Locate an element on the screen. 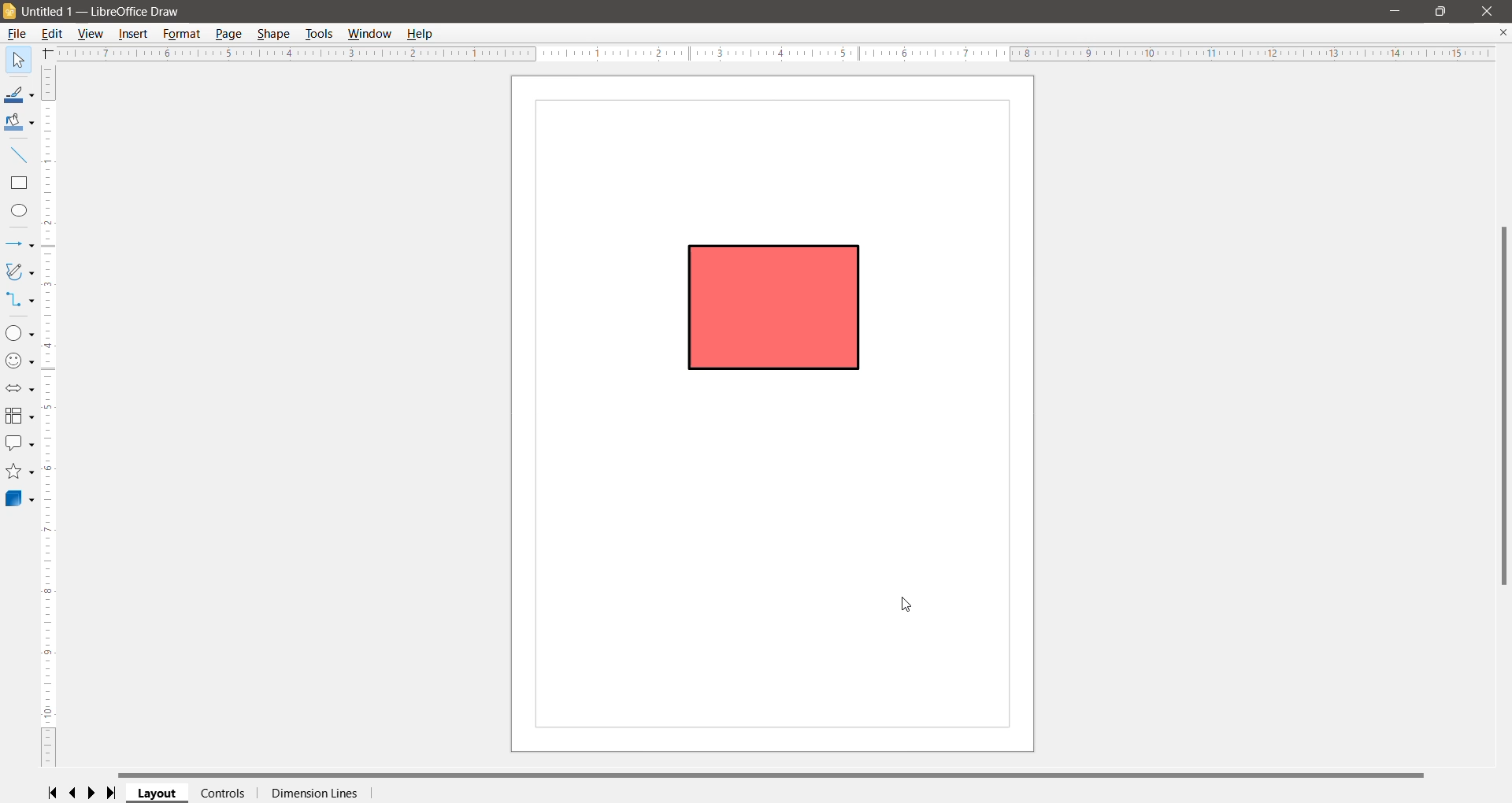  Window is located at coordinates (368, 34).